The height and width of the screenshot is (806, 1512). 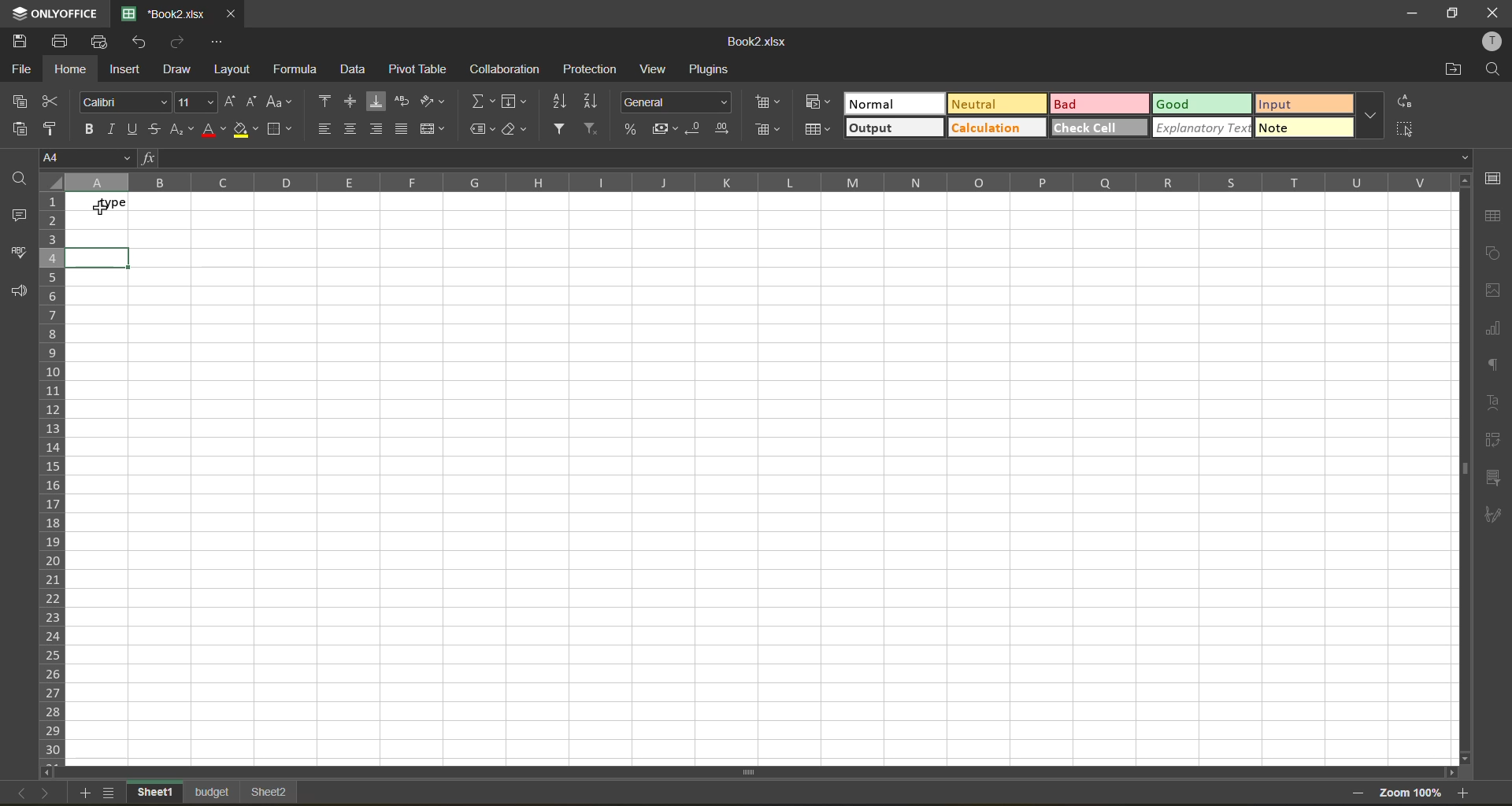 I want to click on fields, so click(x=513, y=104).